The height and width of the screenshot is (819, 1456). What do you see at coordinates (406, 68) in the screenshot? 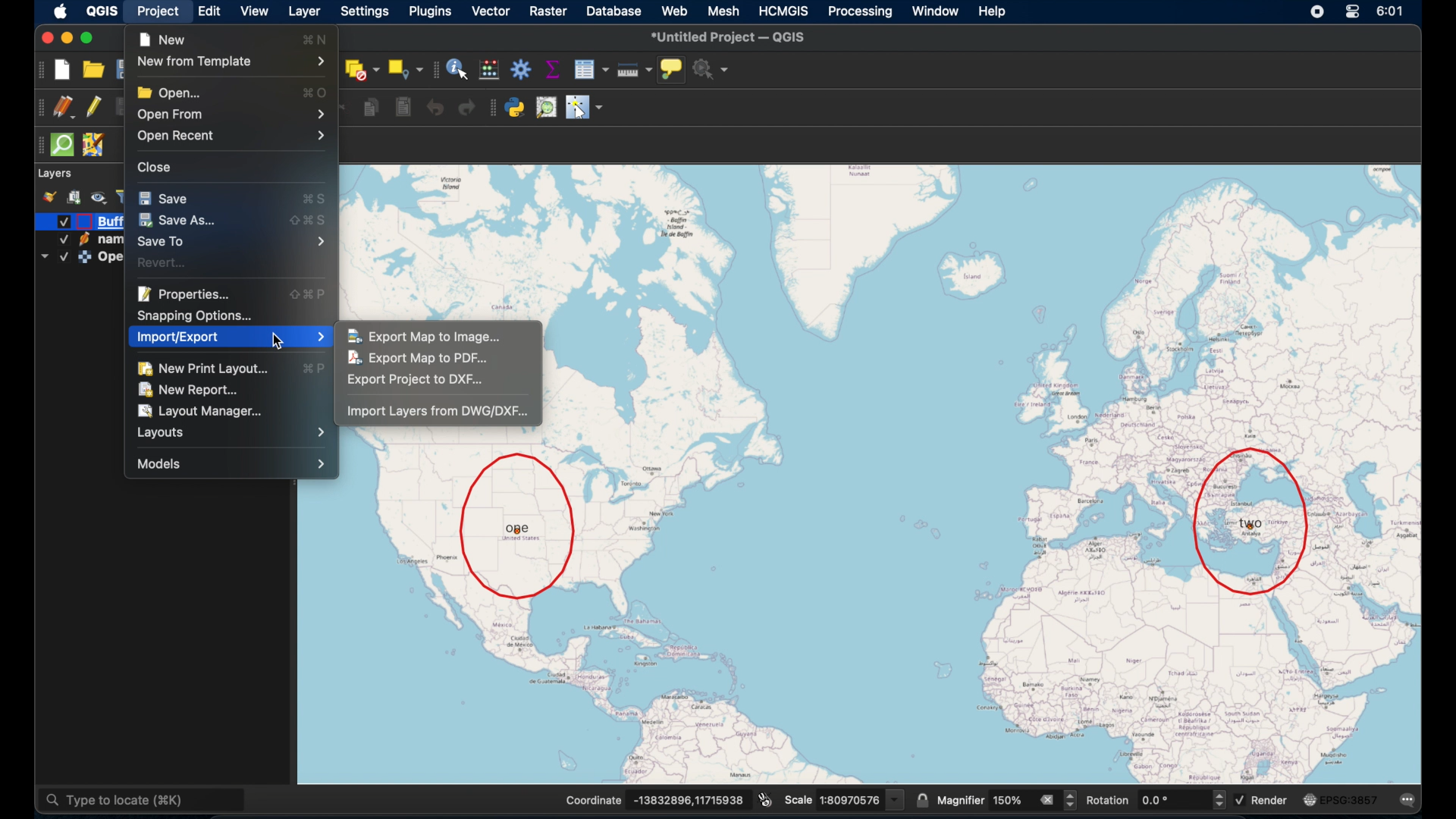
I see `select by location` at bounding box center [406, 68].